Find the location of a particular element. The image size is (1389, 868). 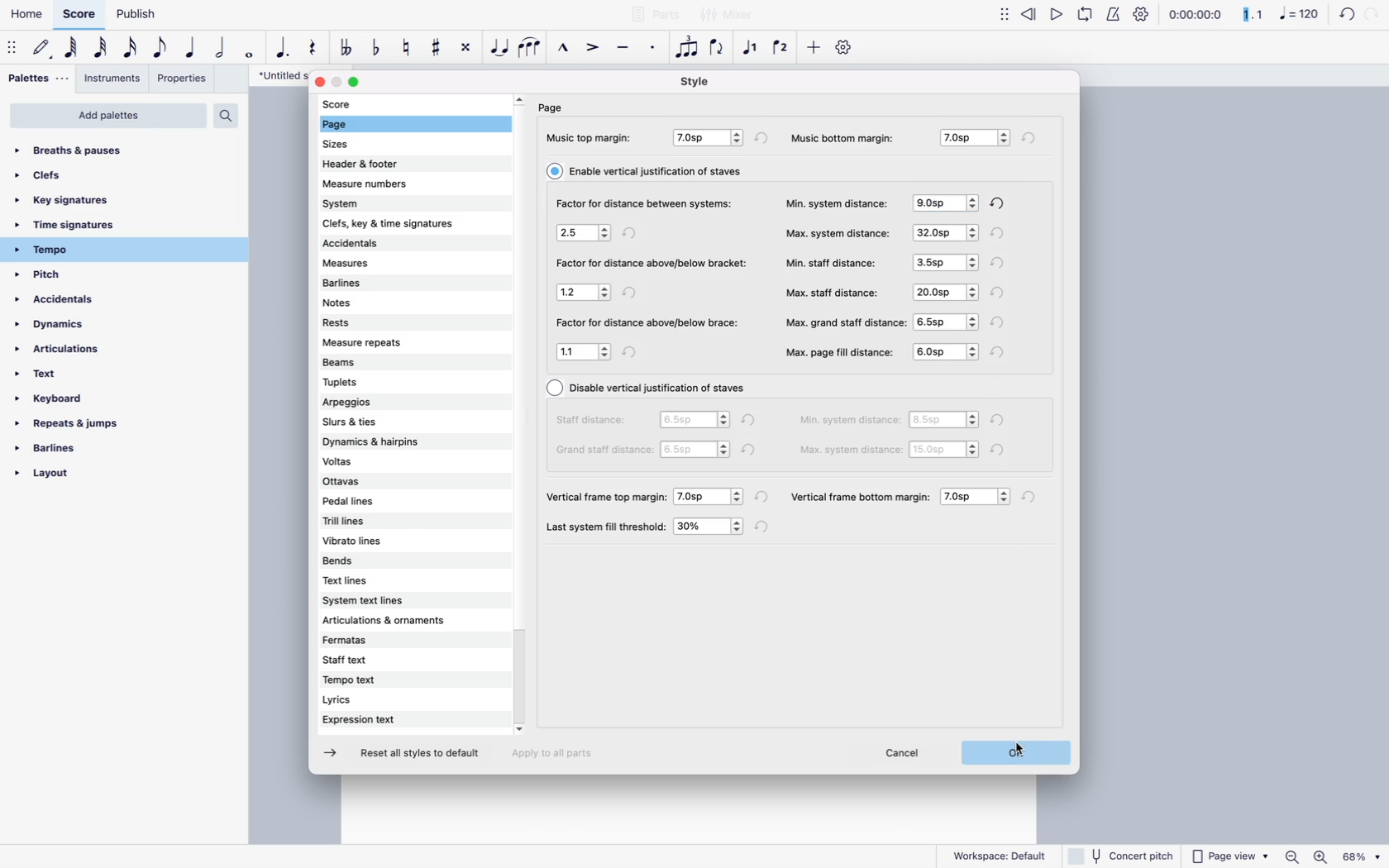

trill lines is located at coordinates (370, 521).